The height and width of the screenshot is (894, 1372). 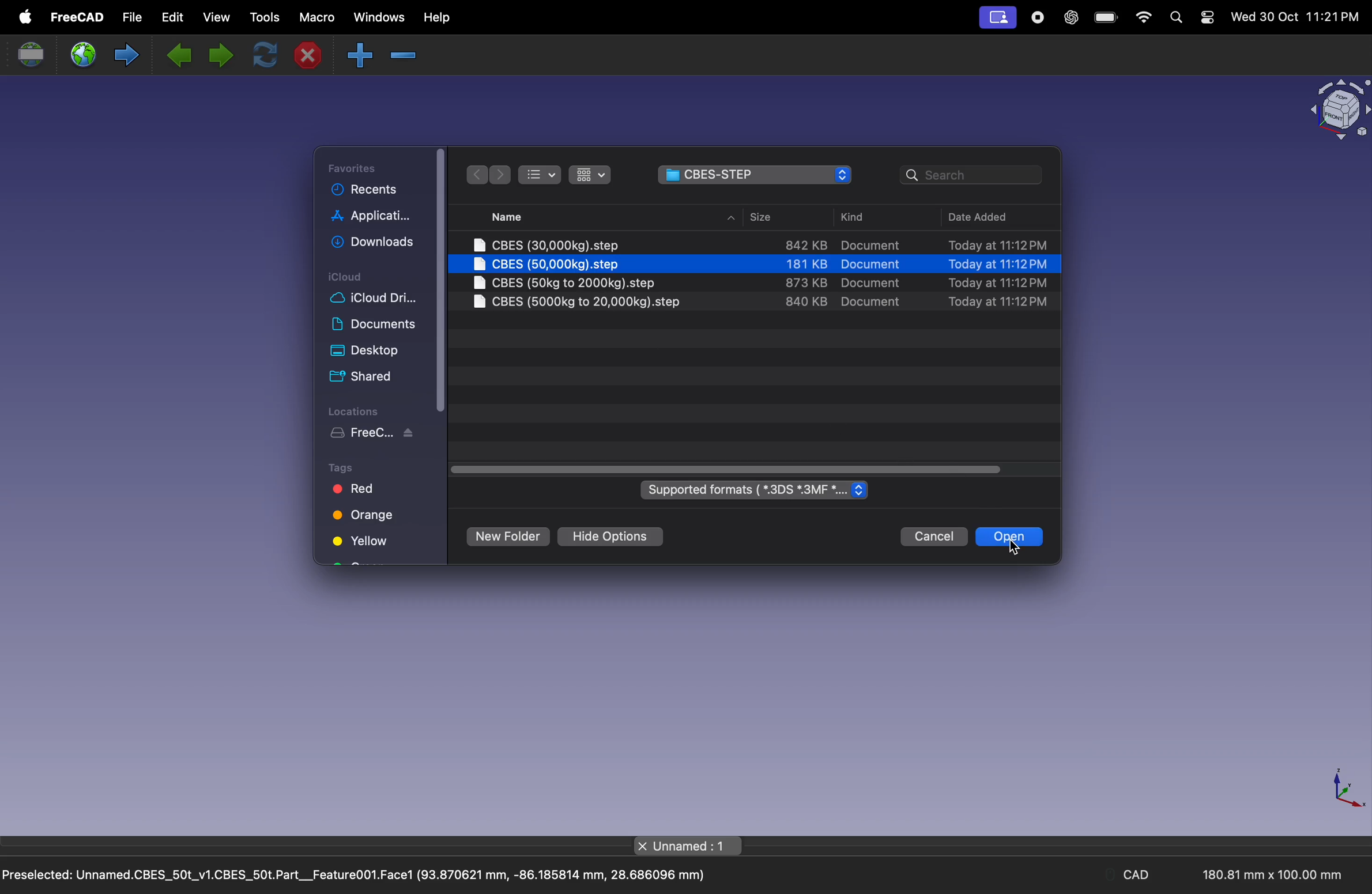 I want to click on new folder, so click(x=507, y=535).